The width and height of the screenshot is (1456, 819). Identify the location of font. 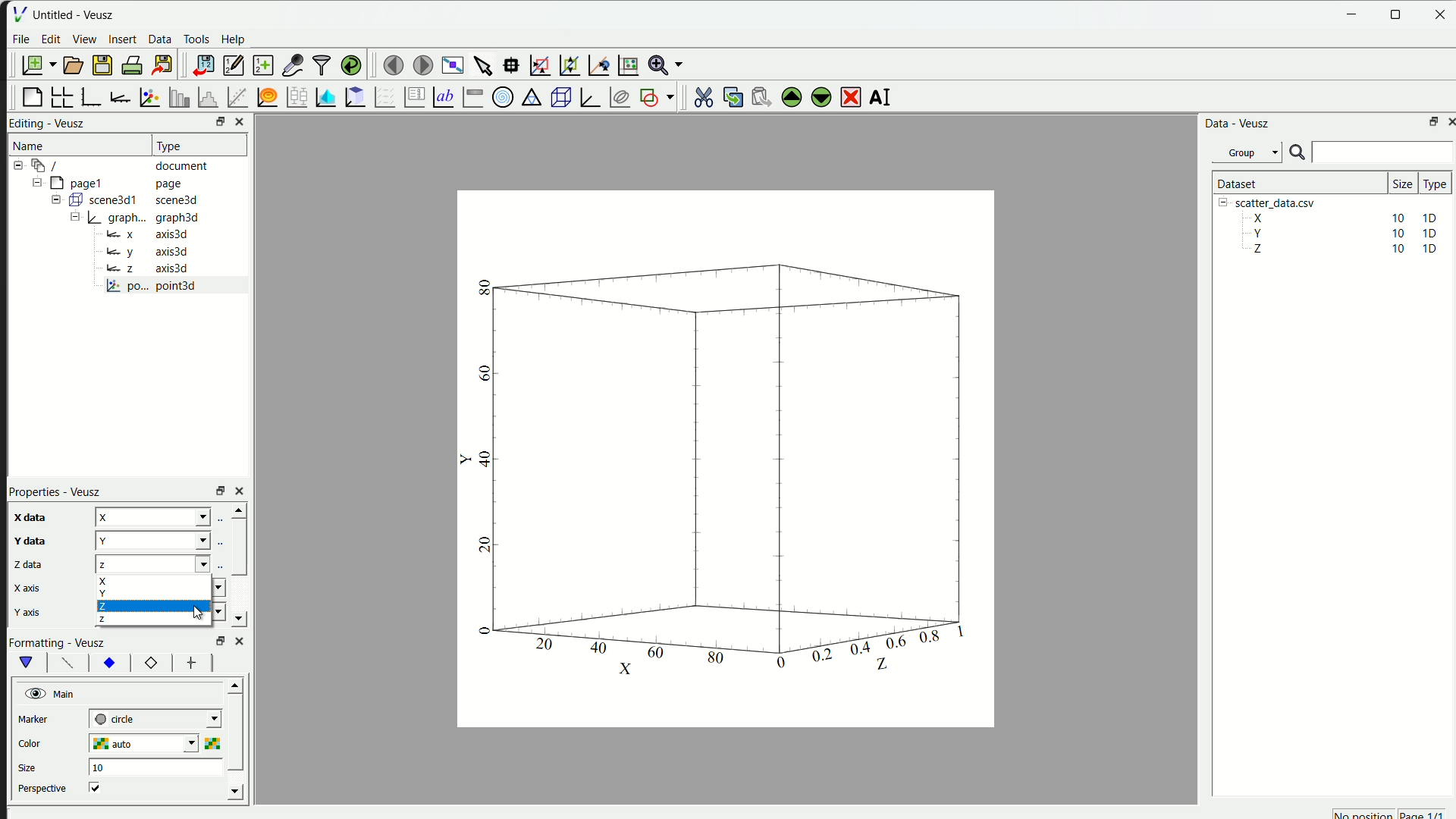
(191, 663).